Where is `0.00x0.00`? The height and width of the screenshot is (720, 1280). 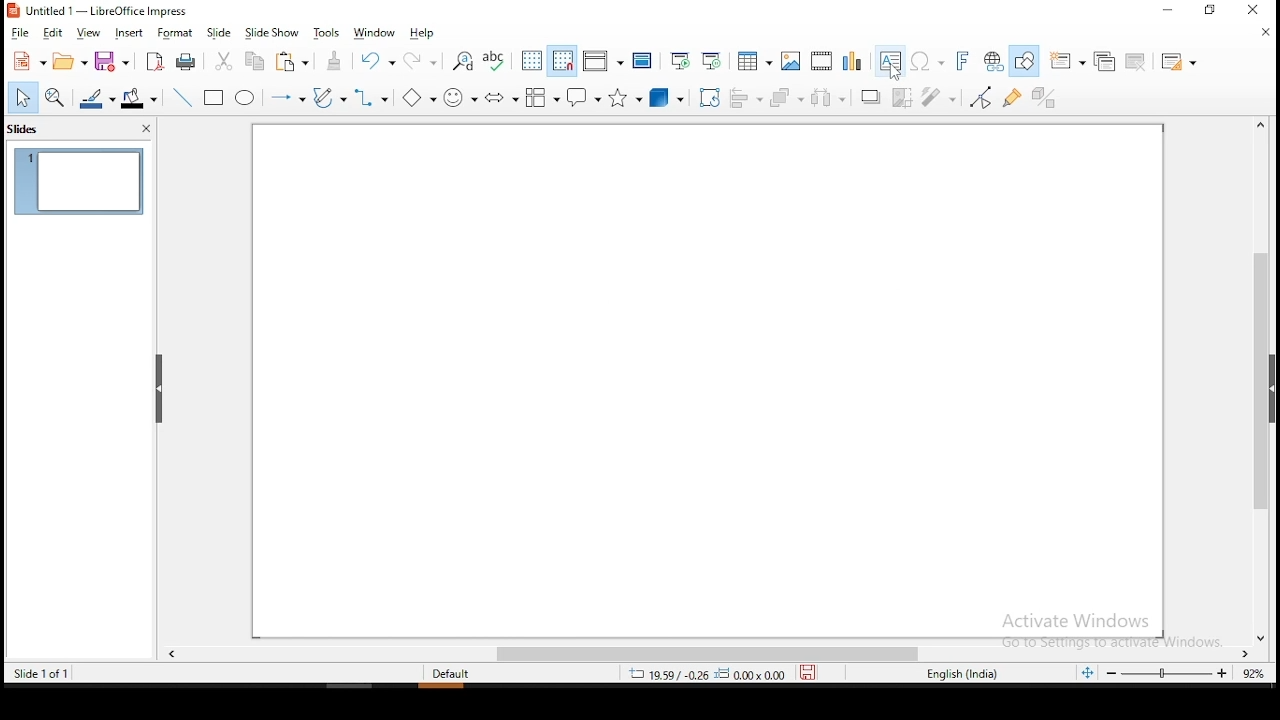 0.00x0.00 is located at coordinates (752, 674).